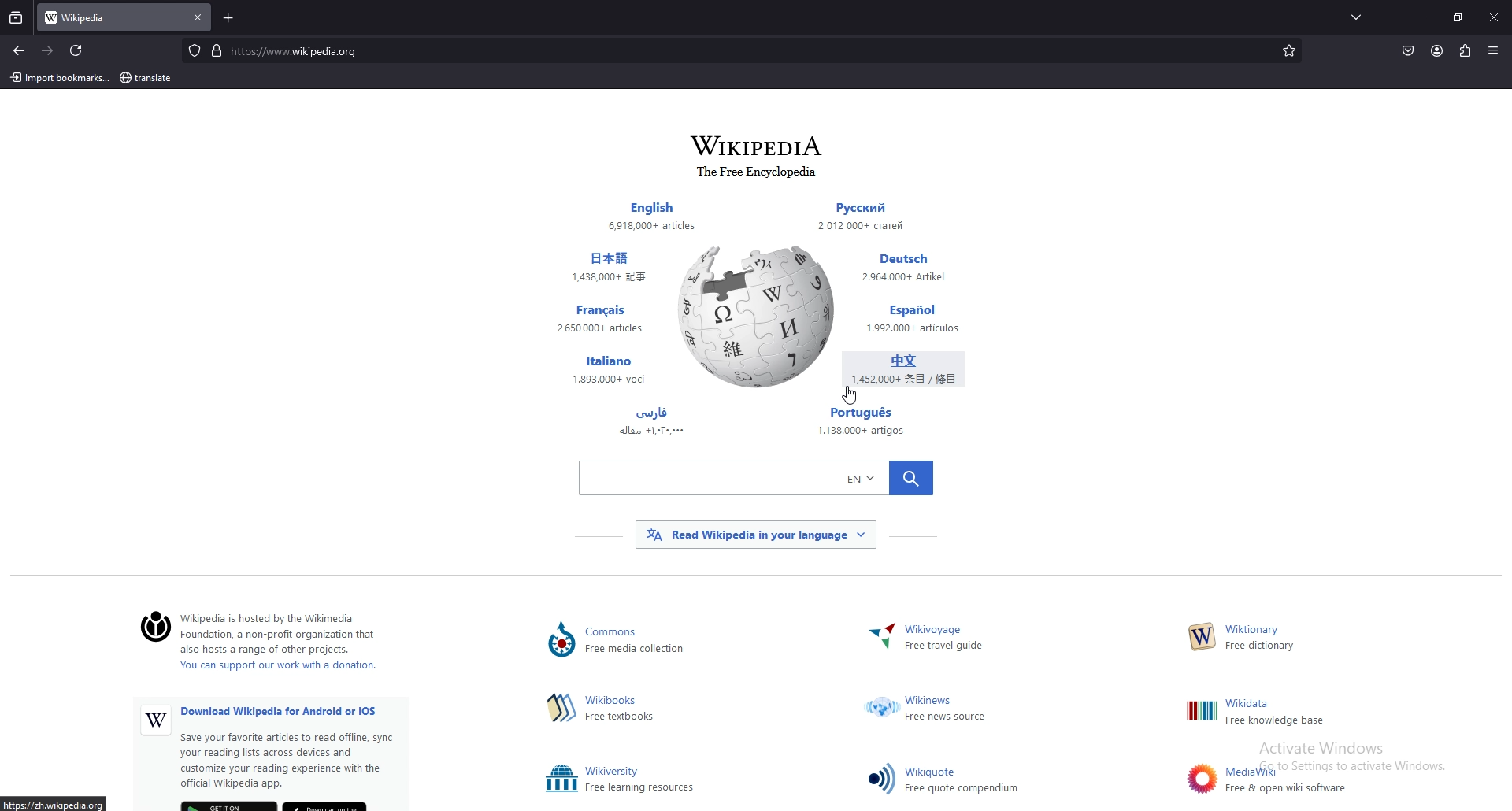 The width and height of the screenshot is (1512, 811). I want to click on 1he ree tncyclopedia, so click(758, 172).